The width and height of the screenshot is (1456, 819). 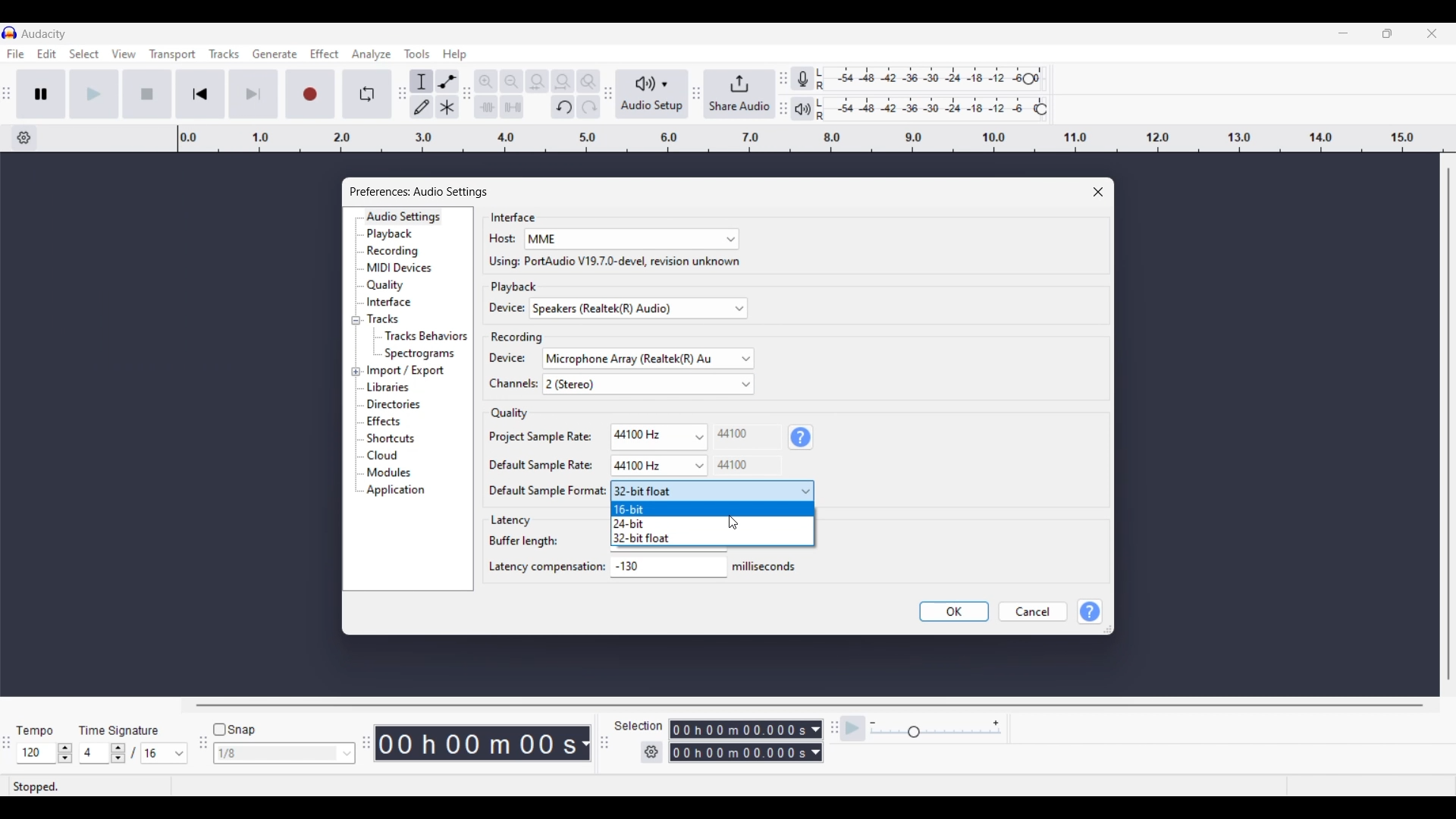 I want to click on Stop, so click(x=148, y=94).